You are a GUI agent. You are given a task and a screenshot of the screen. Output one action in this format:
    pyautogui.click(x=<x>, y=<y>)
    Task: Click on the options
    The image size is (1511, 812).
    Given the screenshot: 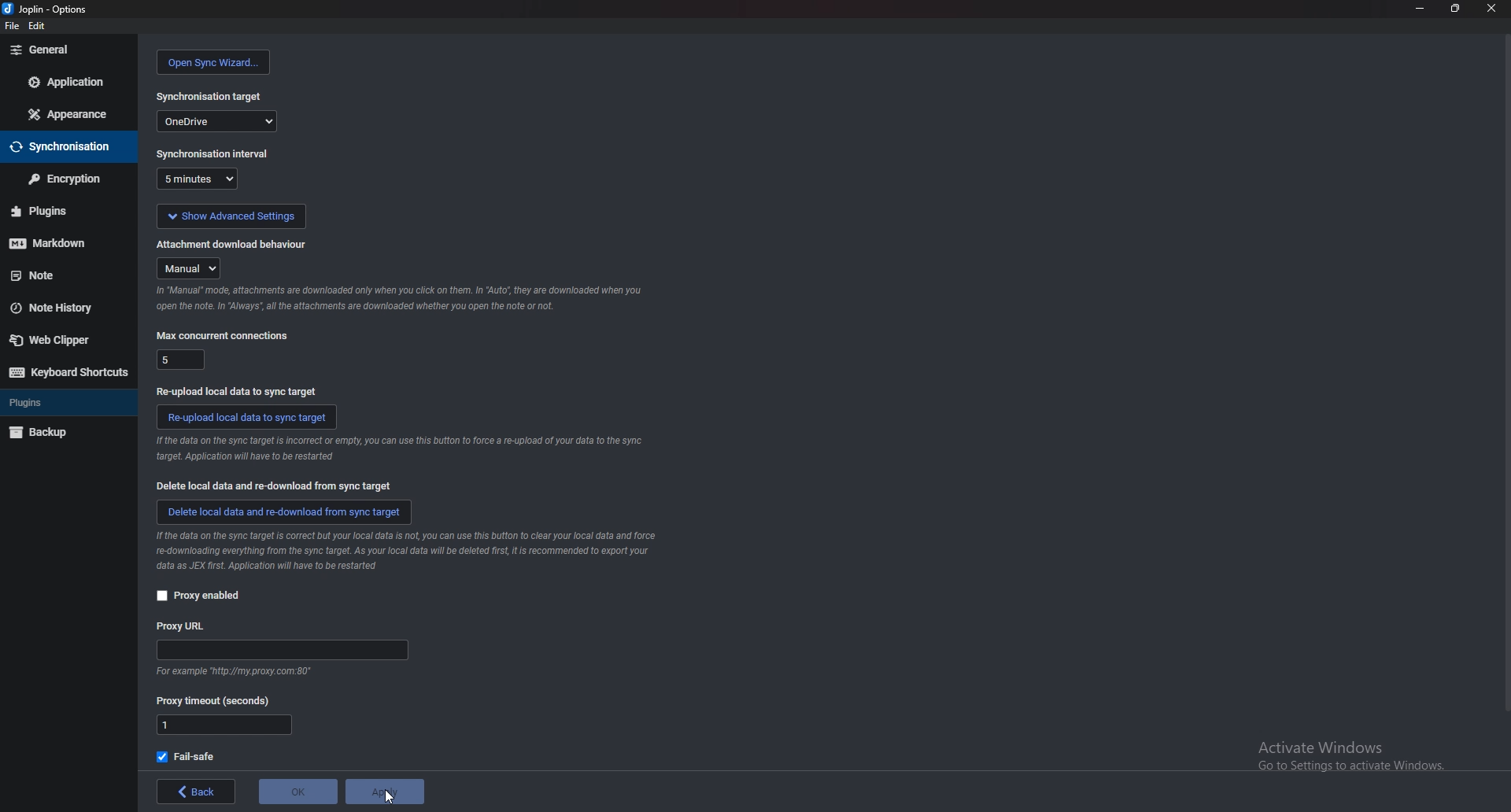 What is the action you would take?
    pyautogui.click(x=47, y=9)
    